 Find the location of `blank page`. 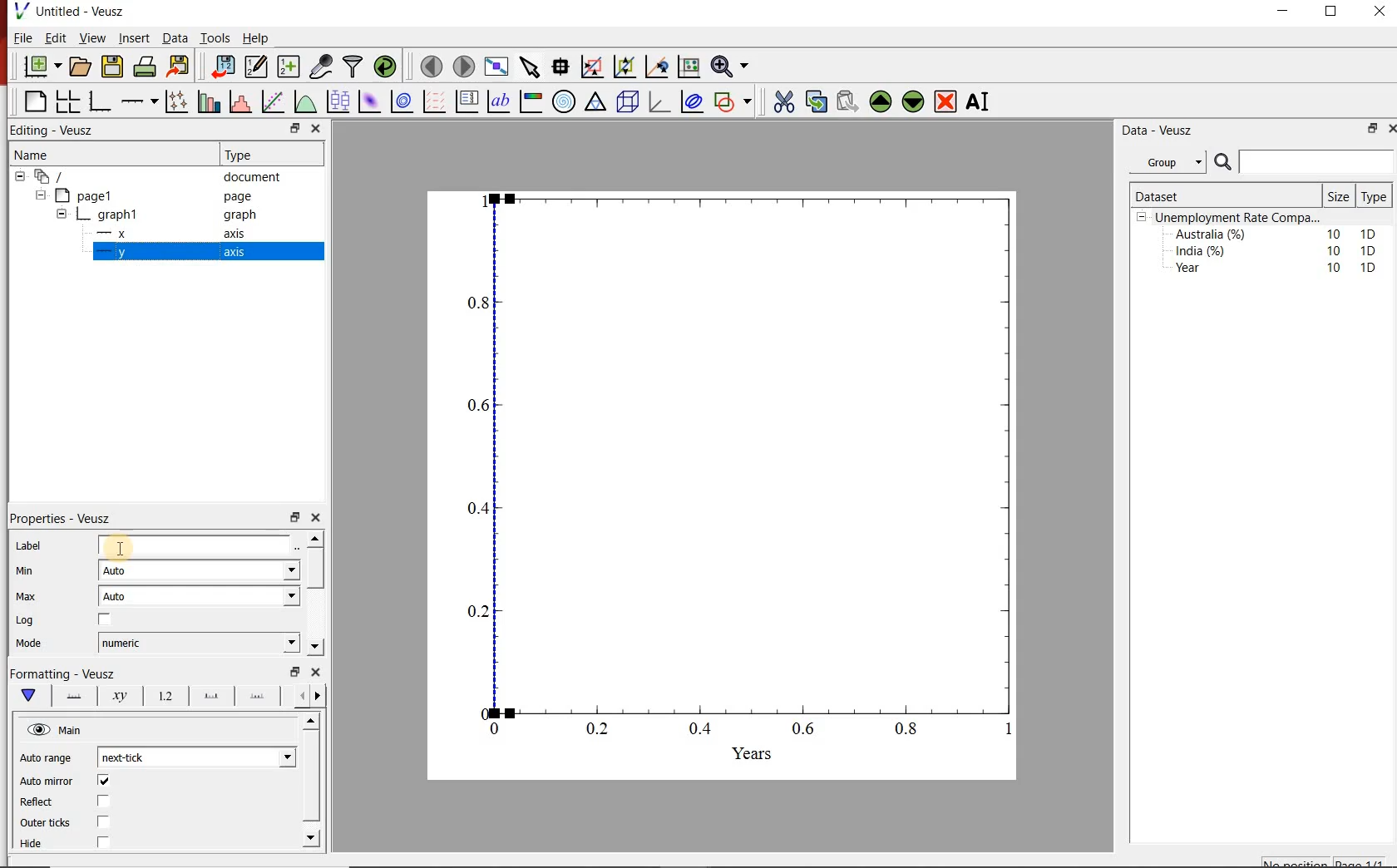

blank page is located at coordinates (34, 100).